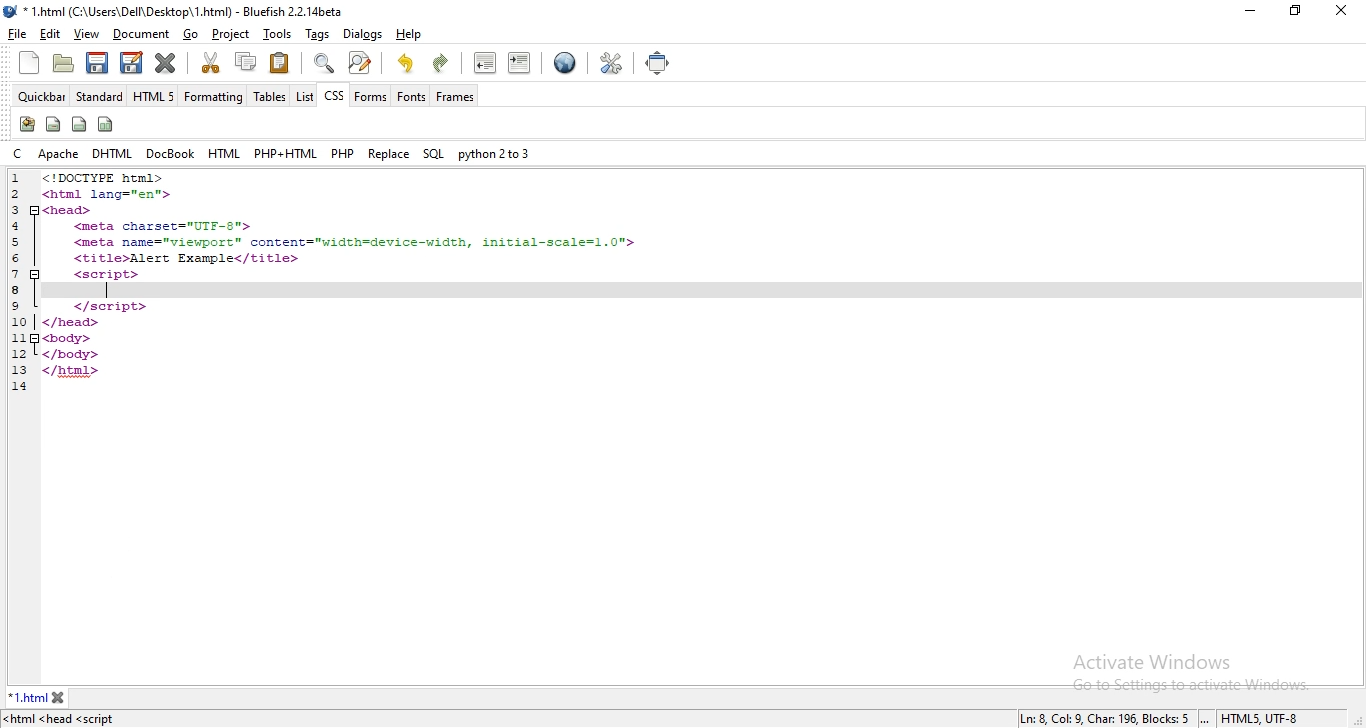  Describe the element at coordinates (69, 353) in the screenshot. I see `</body>` at that location.